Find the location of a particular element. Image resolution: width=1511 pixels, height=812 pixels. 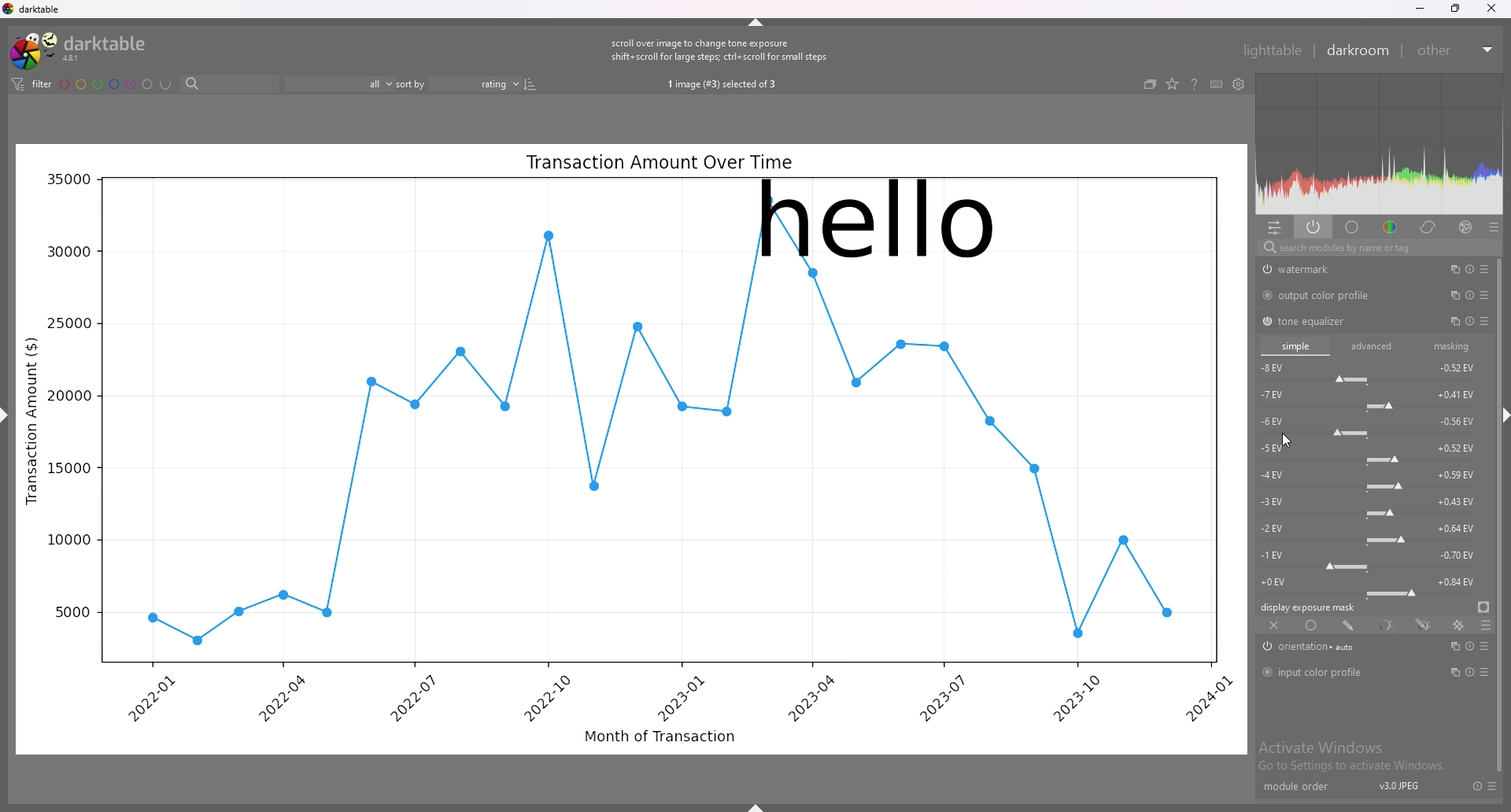

10000 is located at coordinates (66, 540).